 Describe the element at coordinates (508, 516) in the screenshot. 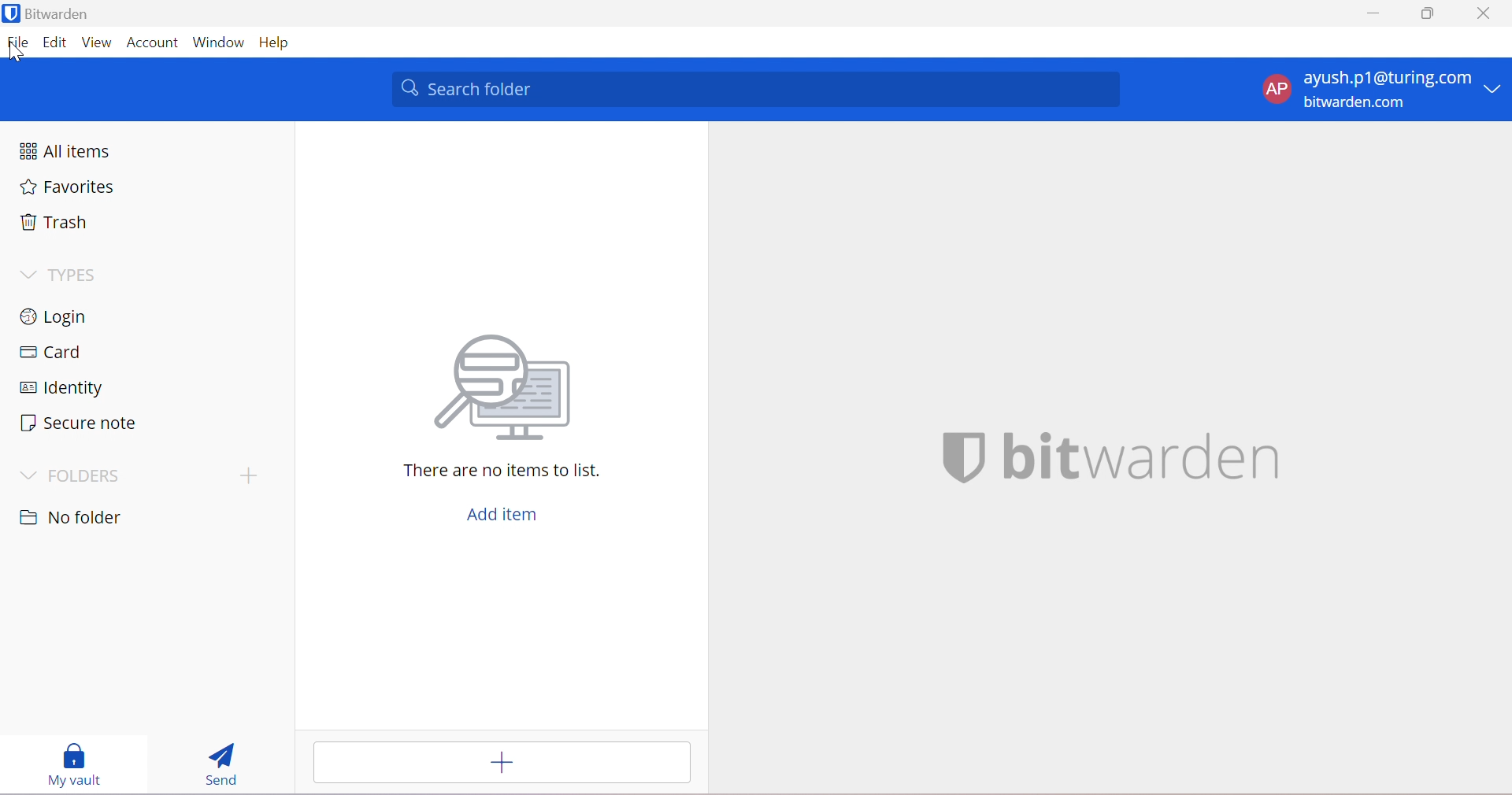

I see `Add item` at that location.